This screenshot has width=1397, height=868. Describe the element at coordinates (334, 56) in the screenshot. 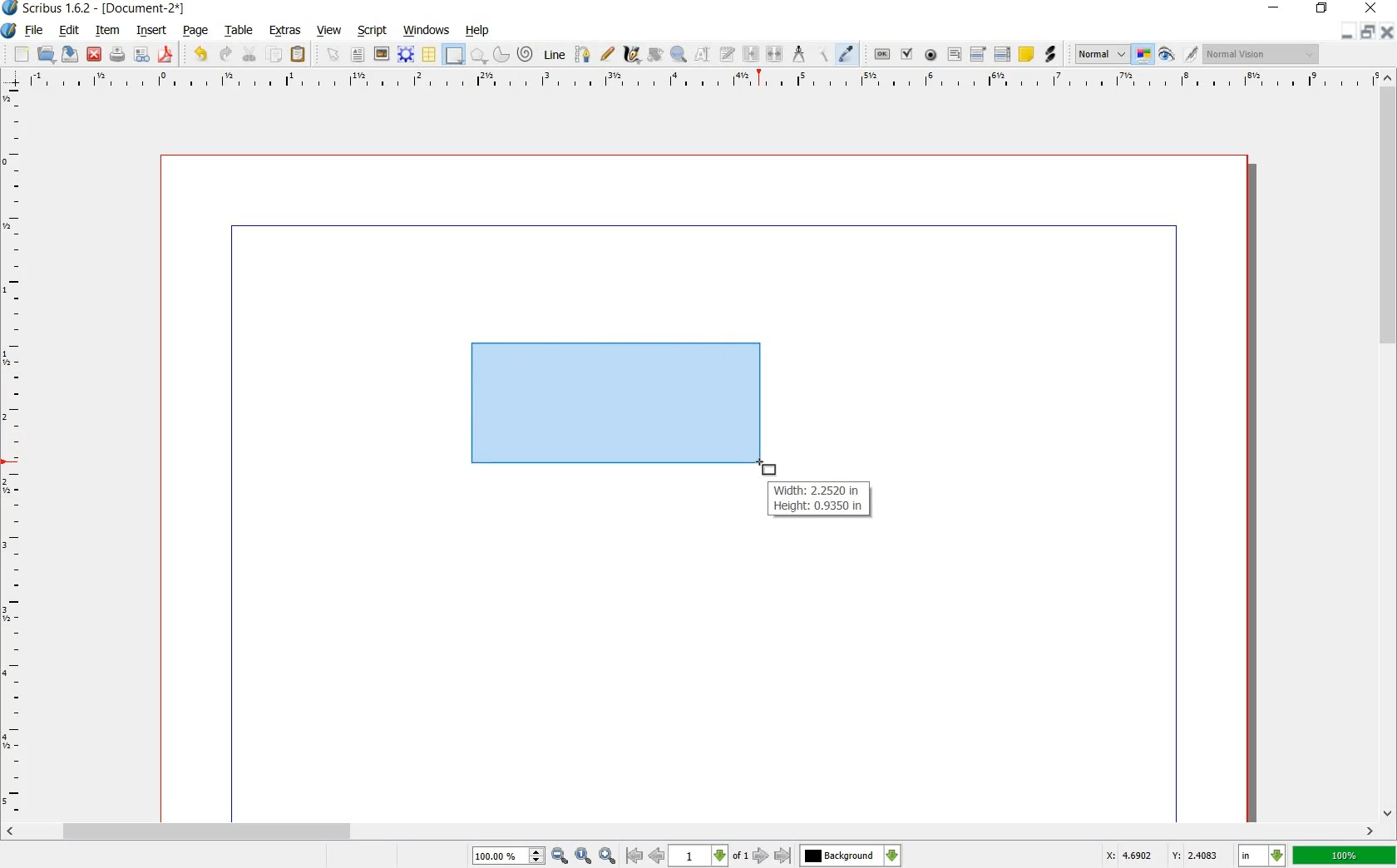

I see `SELECT` at that location.